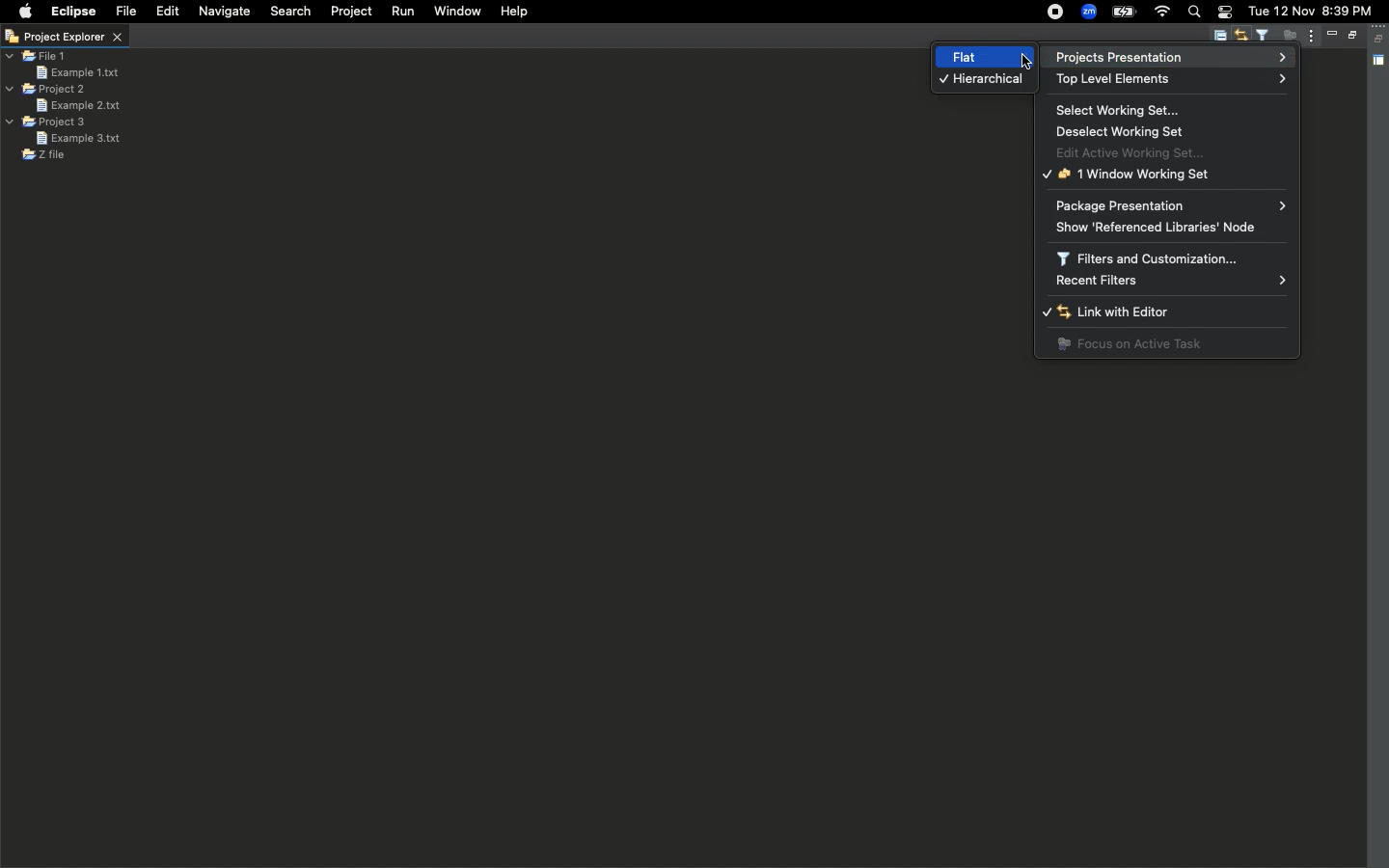  I want to click on tue 12 nov 8:39 pm , so click(1313, 11).